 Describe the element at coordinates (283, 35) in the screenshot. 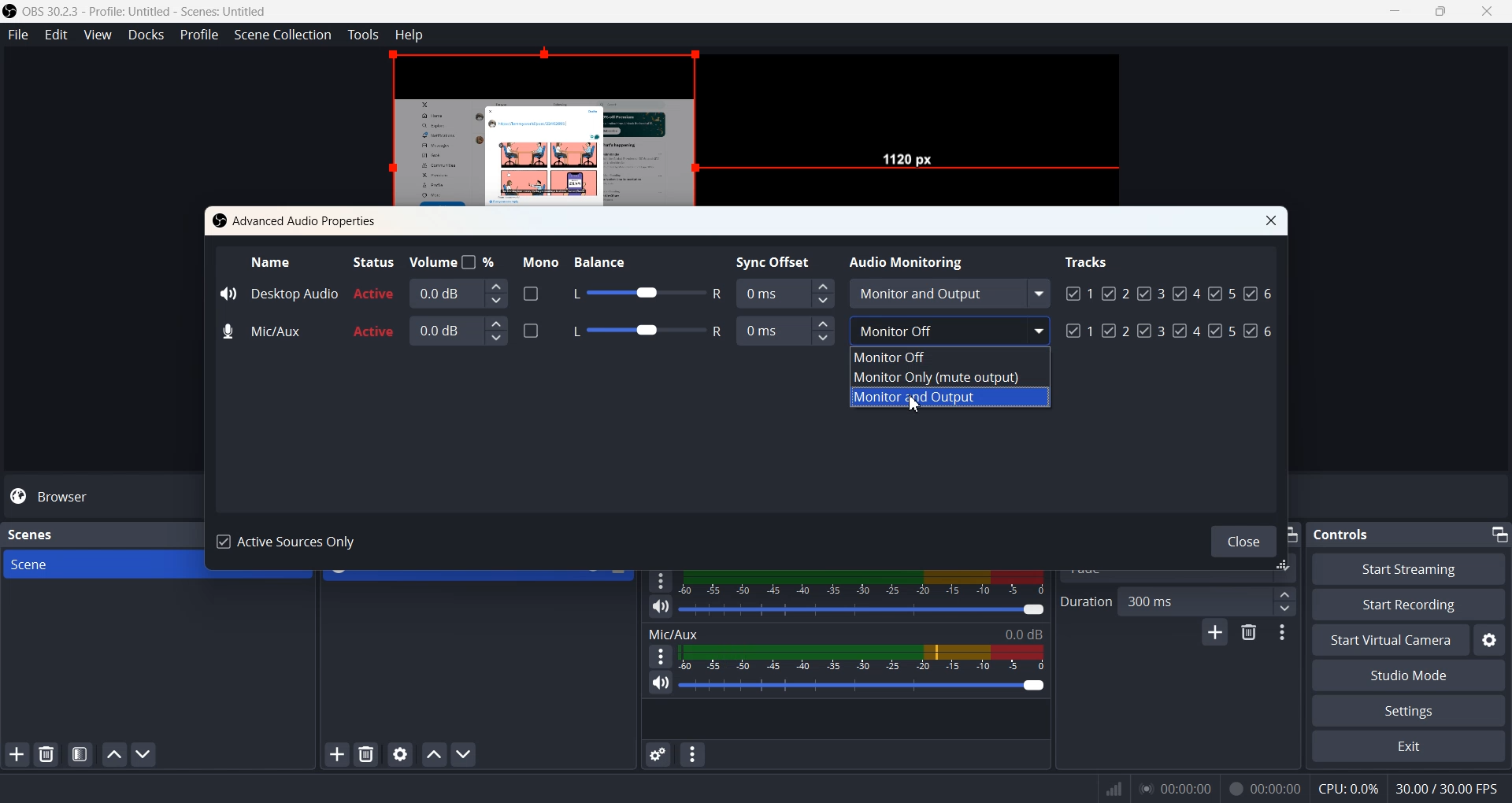

I see `Scene Collection` at that location.